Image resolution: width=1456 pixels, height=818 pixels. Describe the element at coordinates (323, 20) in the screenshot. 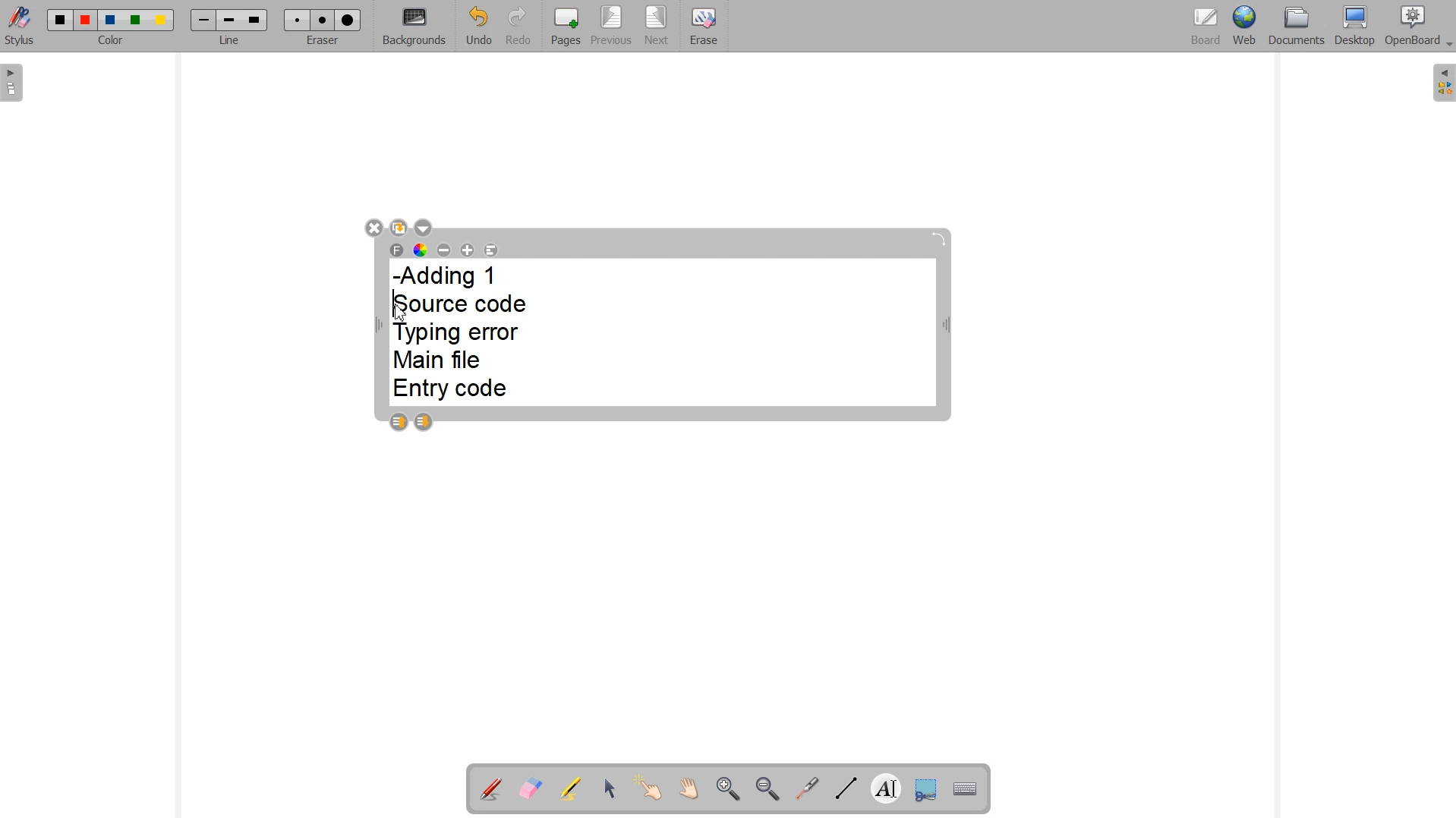

I see `Medium eraser` at that location.